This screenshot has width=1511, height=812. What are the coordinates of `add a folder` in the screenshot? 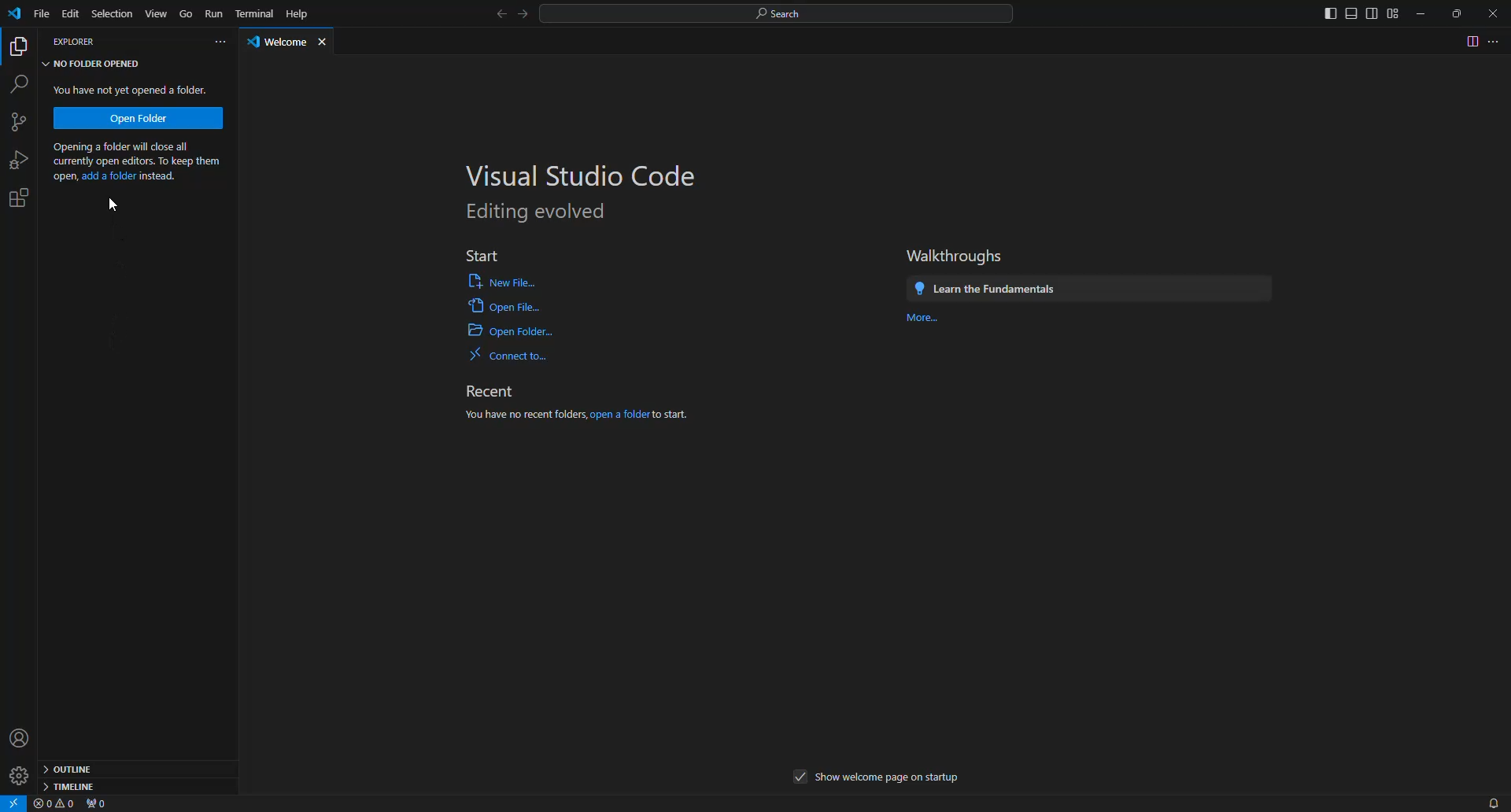 It's located at (109, 178).